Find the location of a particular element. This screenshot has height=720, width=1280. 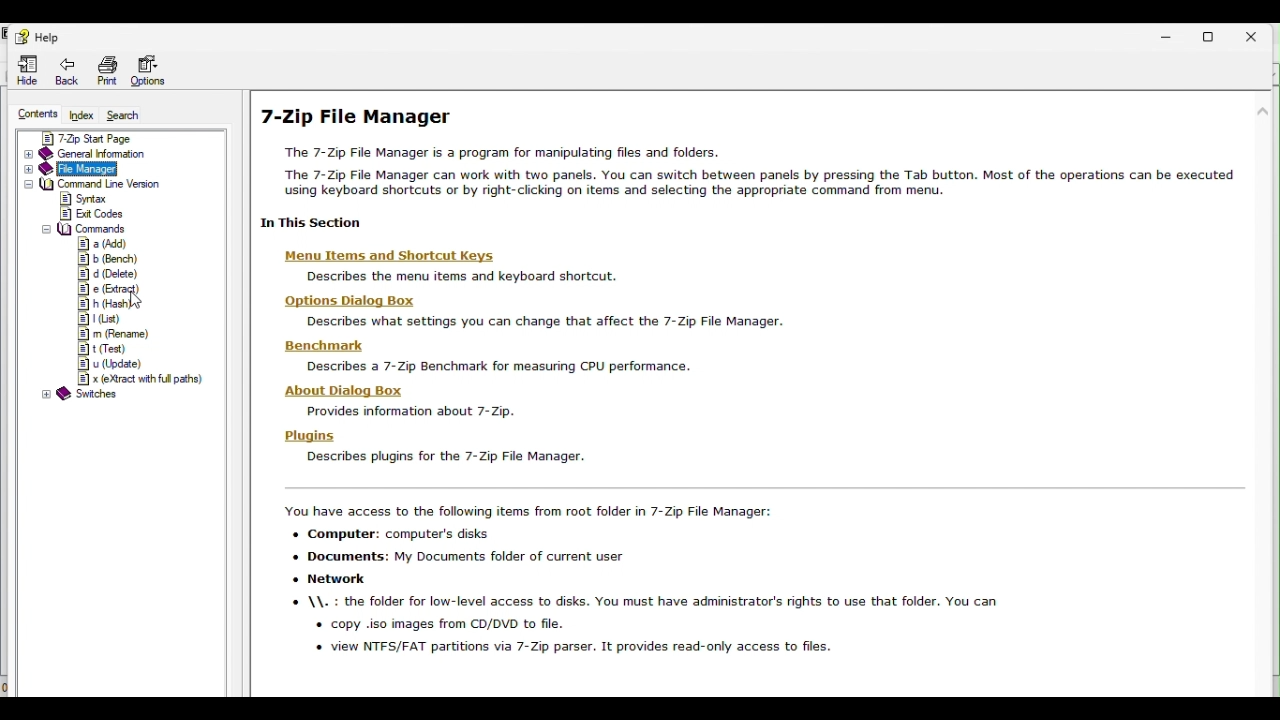

x( extract with full path) is located at coordinates (138, 379).